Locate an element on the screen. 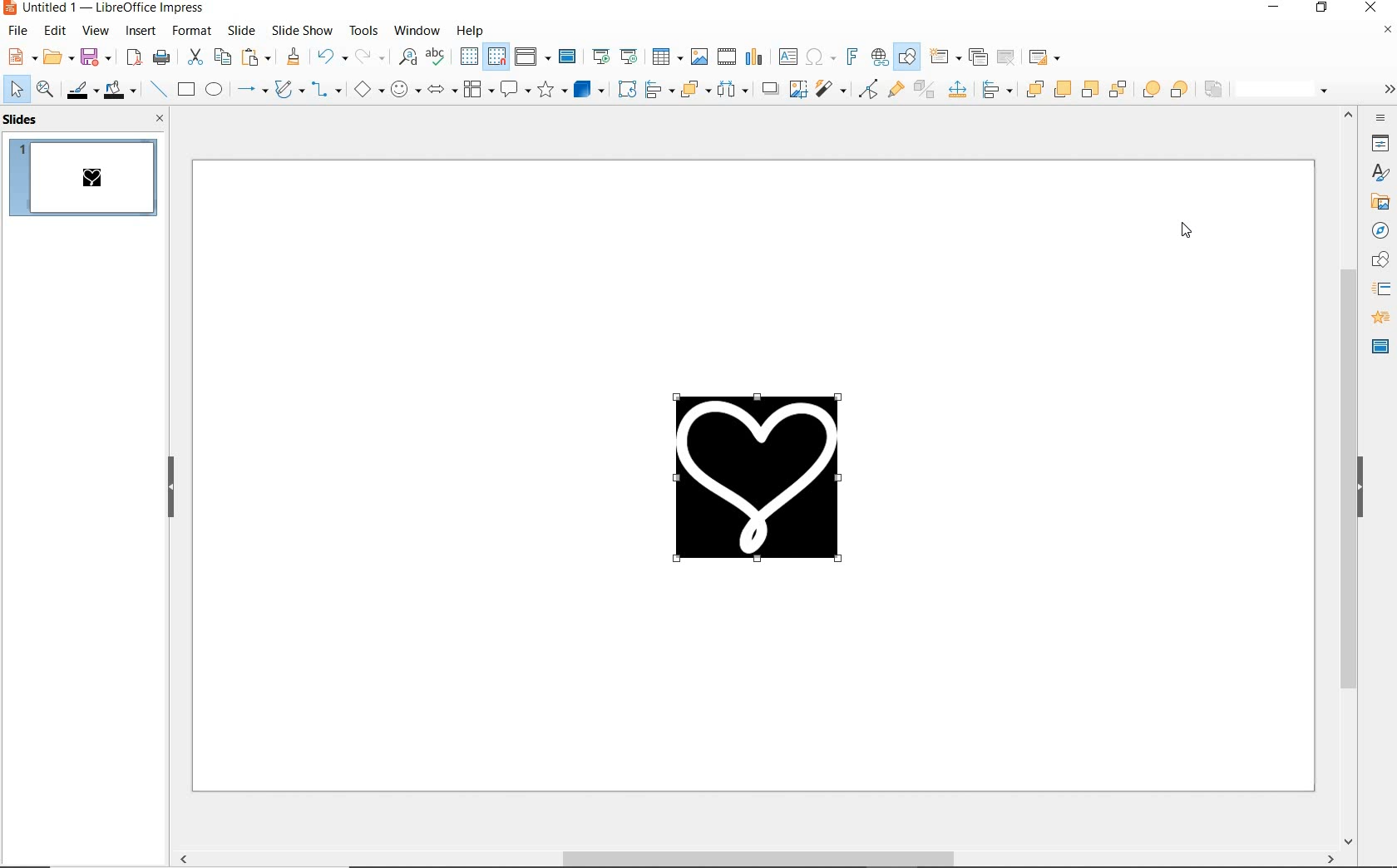 The width and height of the screenshot is (1397, 868). rectangle is located at coordinates (187, 90).